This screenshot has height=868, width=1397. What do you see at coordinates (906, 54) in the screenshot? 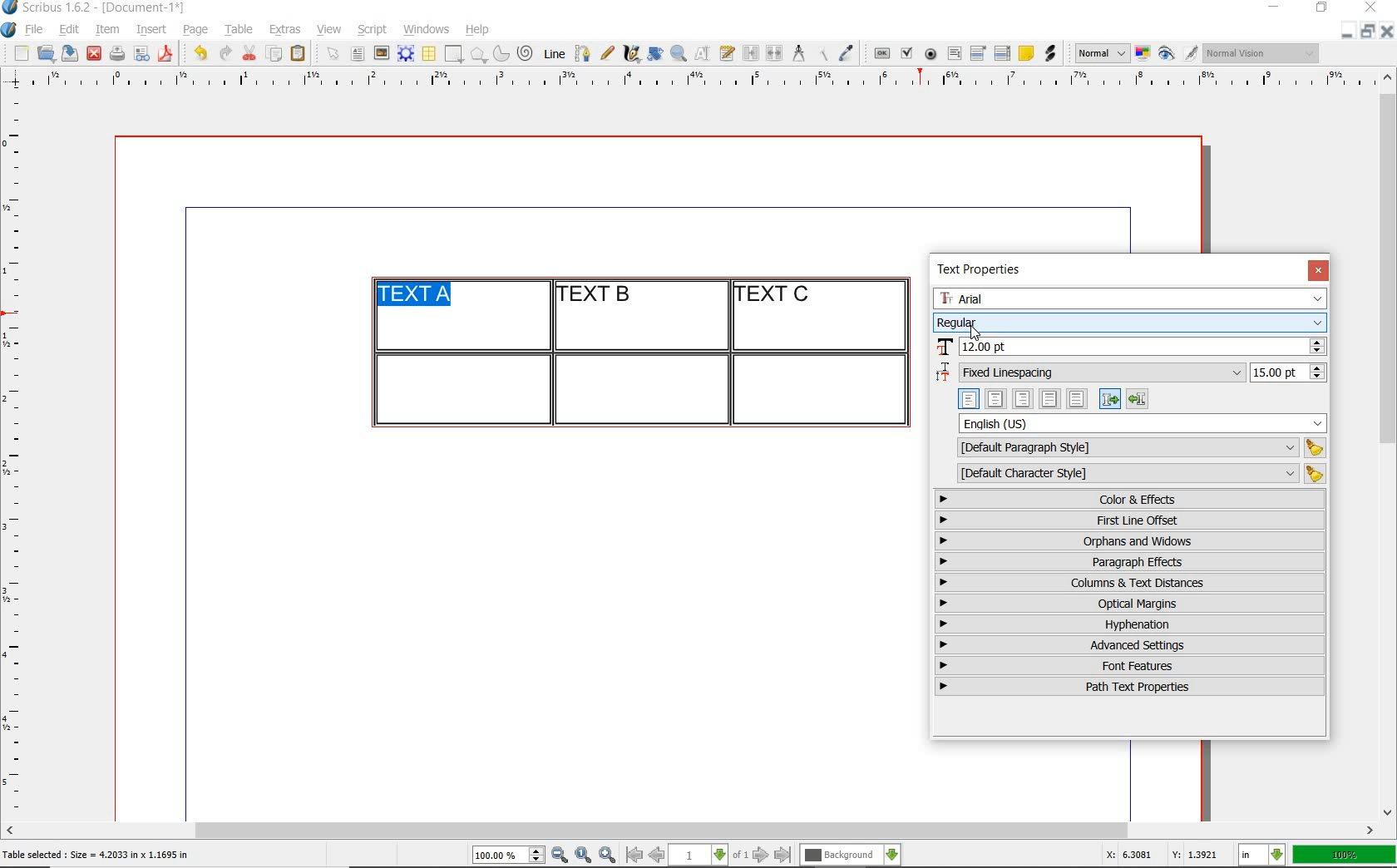
I see `pdf check box` at bounding box center [906, 54].